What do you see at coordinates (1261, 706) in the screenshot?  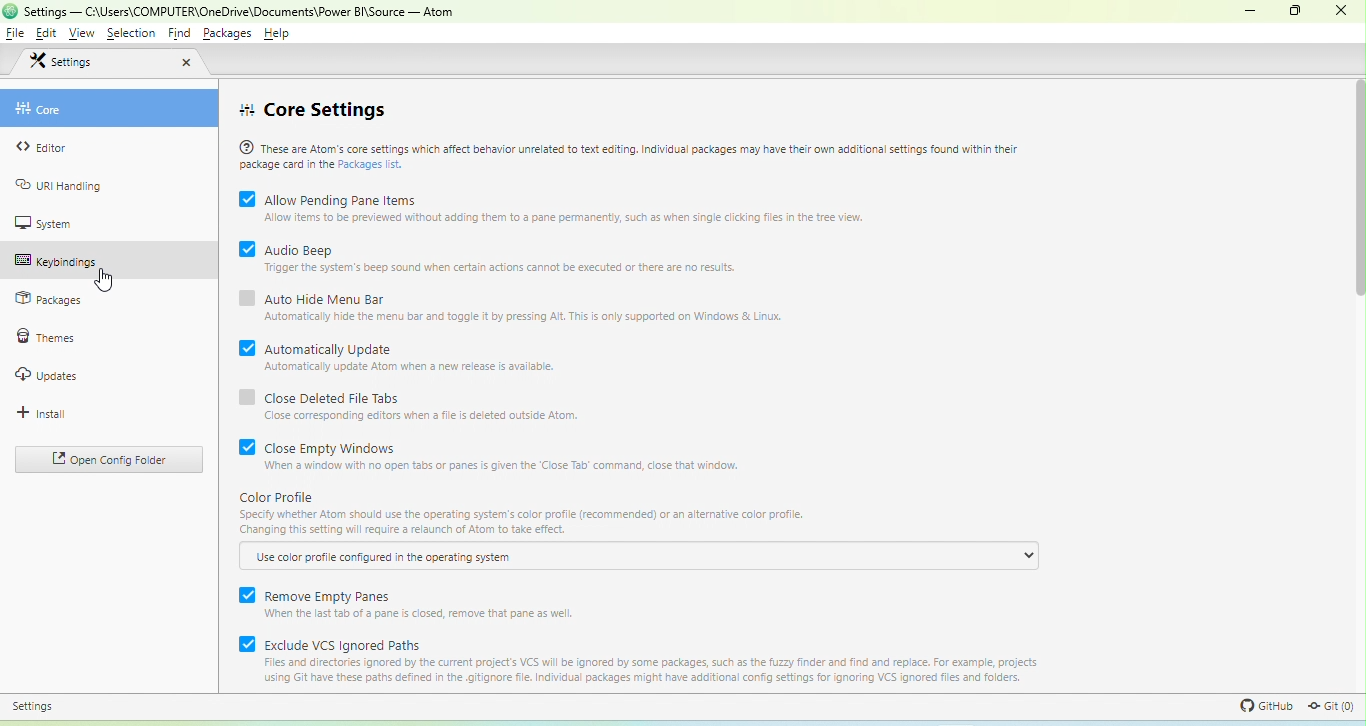 I see `github` at bounding box center [1261, 706].